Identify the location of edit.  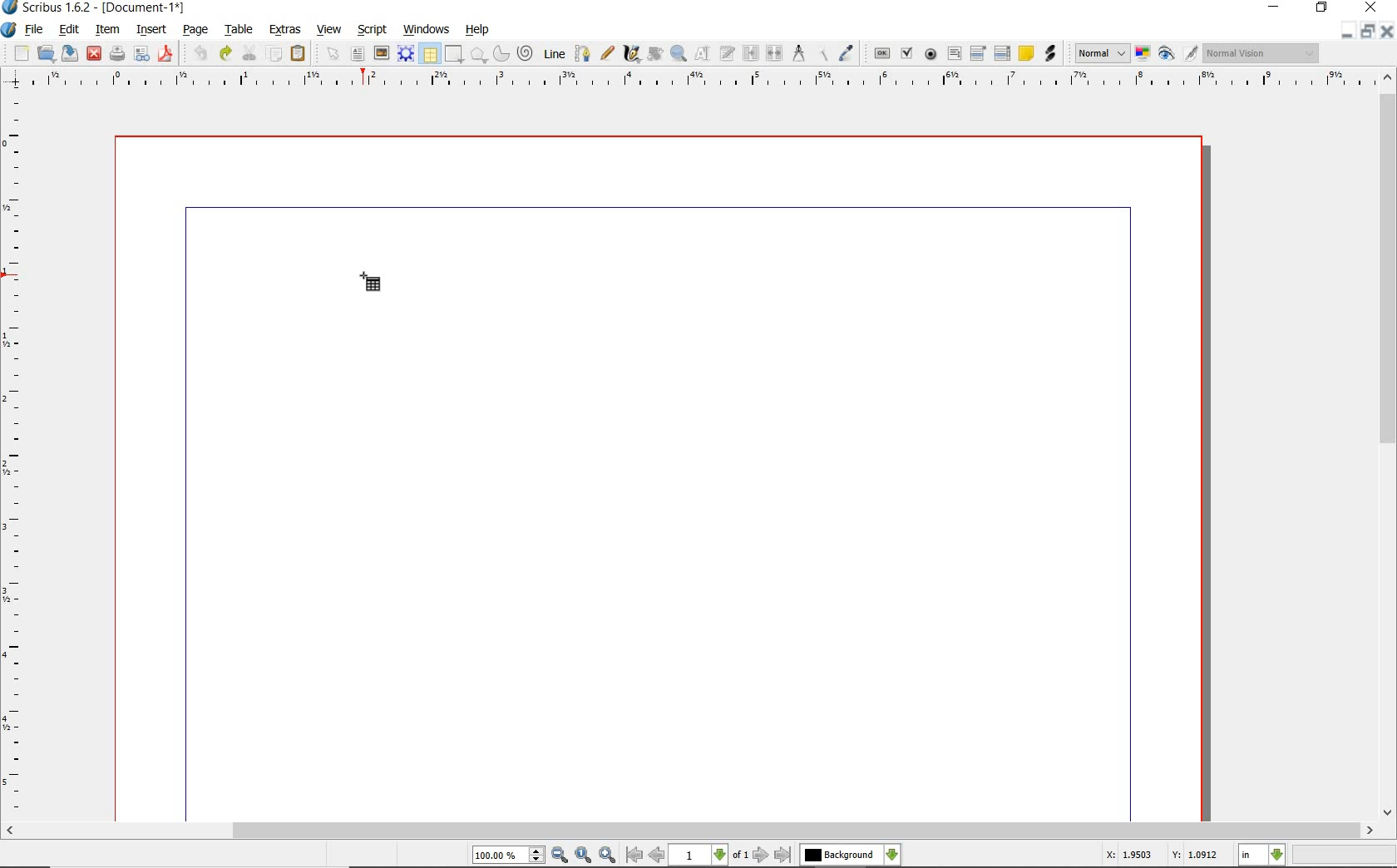
(67, 30).